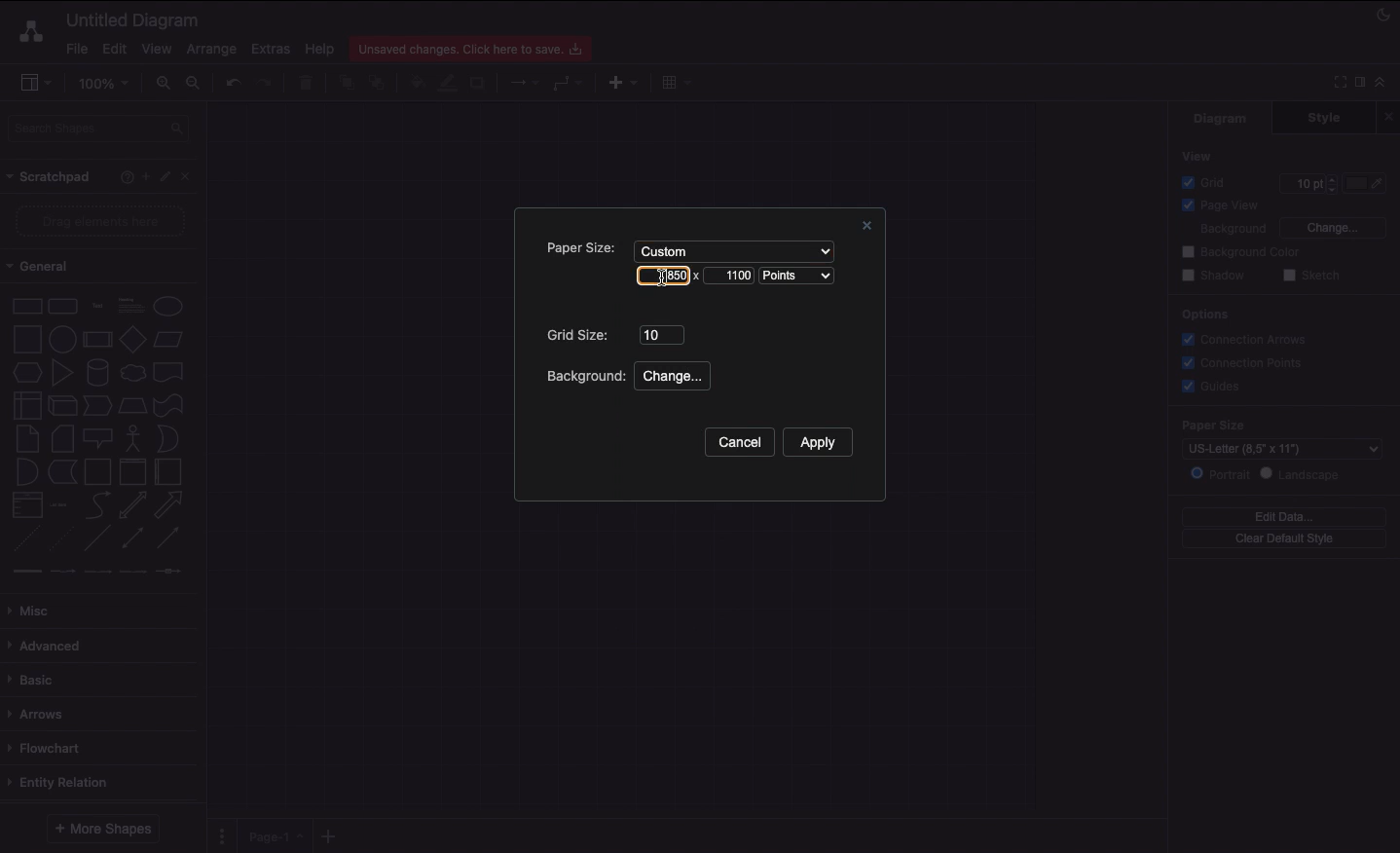  Describe the element at coordinates (62, 438) in the screenshot. I see `Card` at that location.